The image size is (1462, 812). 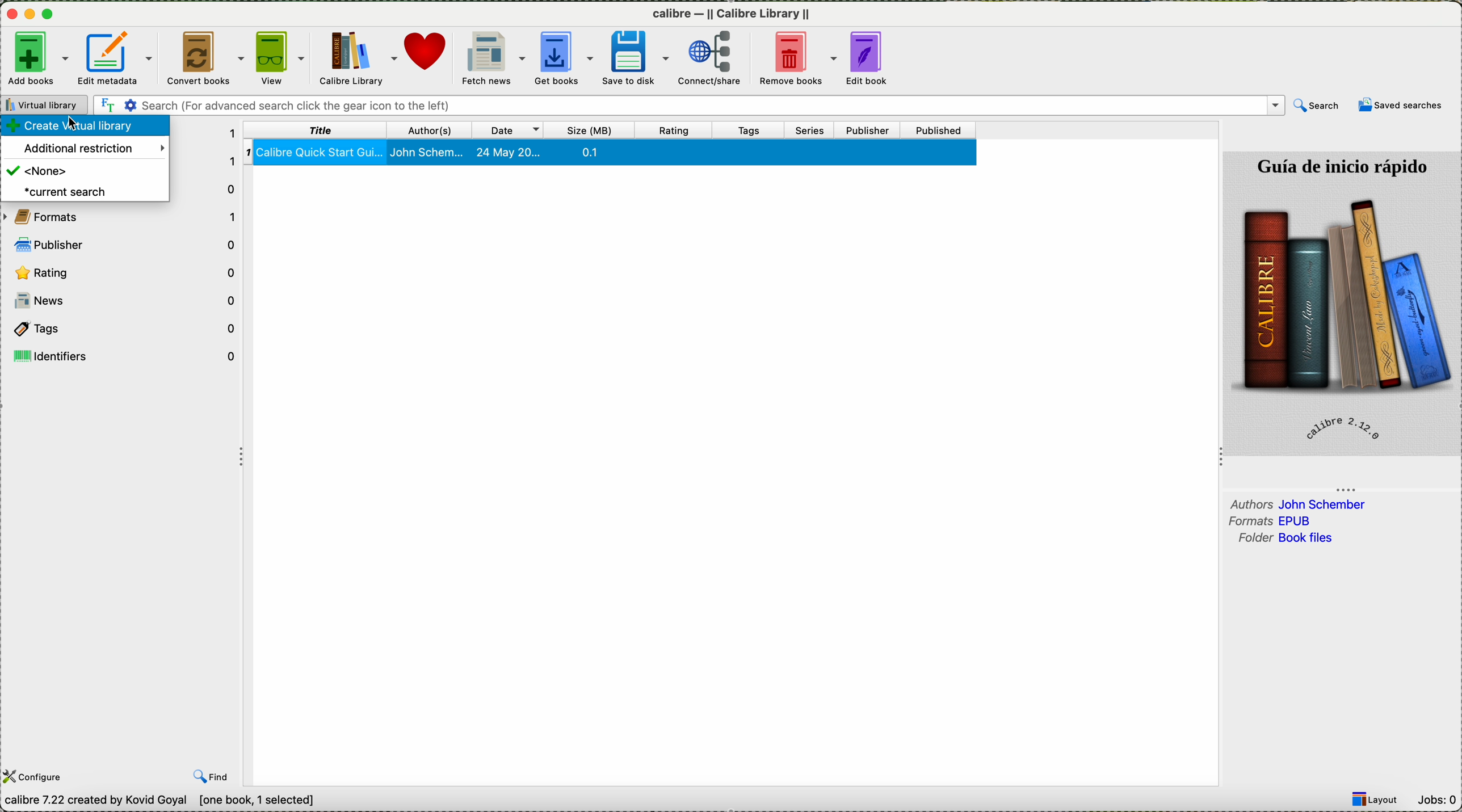 What do you see at coordinates (125, 303) in the screenshot?
I see `news` at bounding box center [125, 303].